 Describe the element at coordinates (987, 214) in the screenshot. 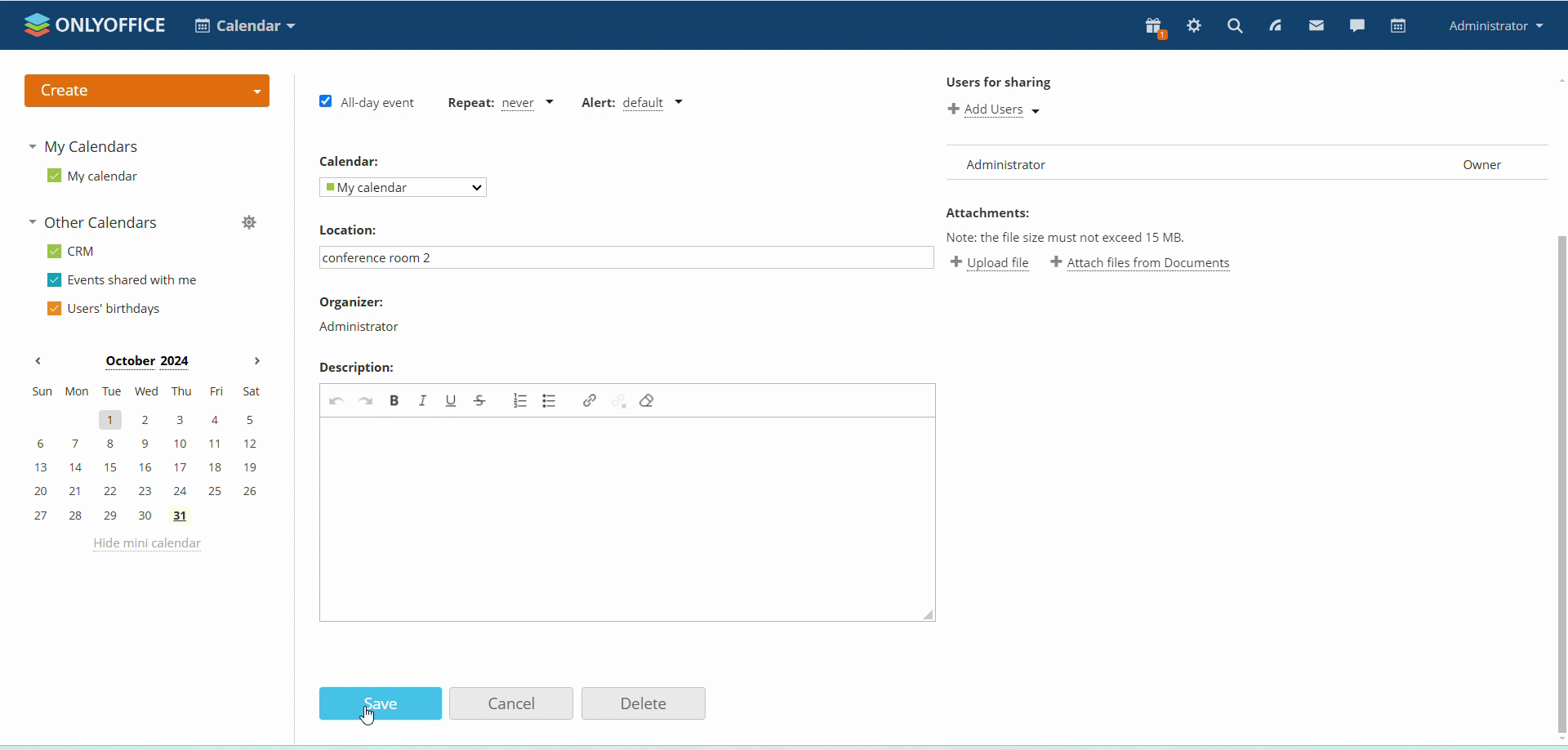

I see `Attachments` at that location.